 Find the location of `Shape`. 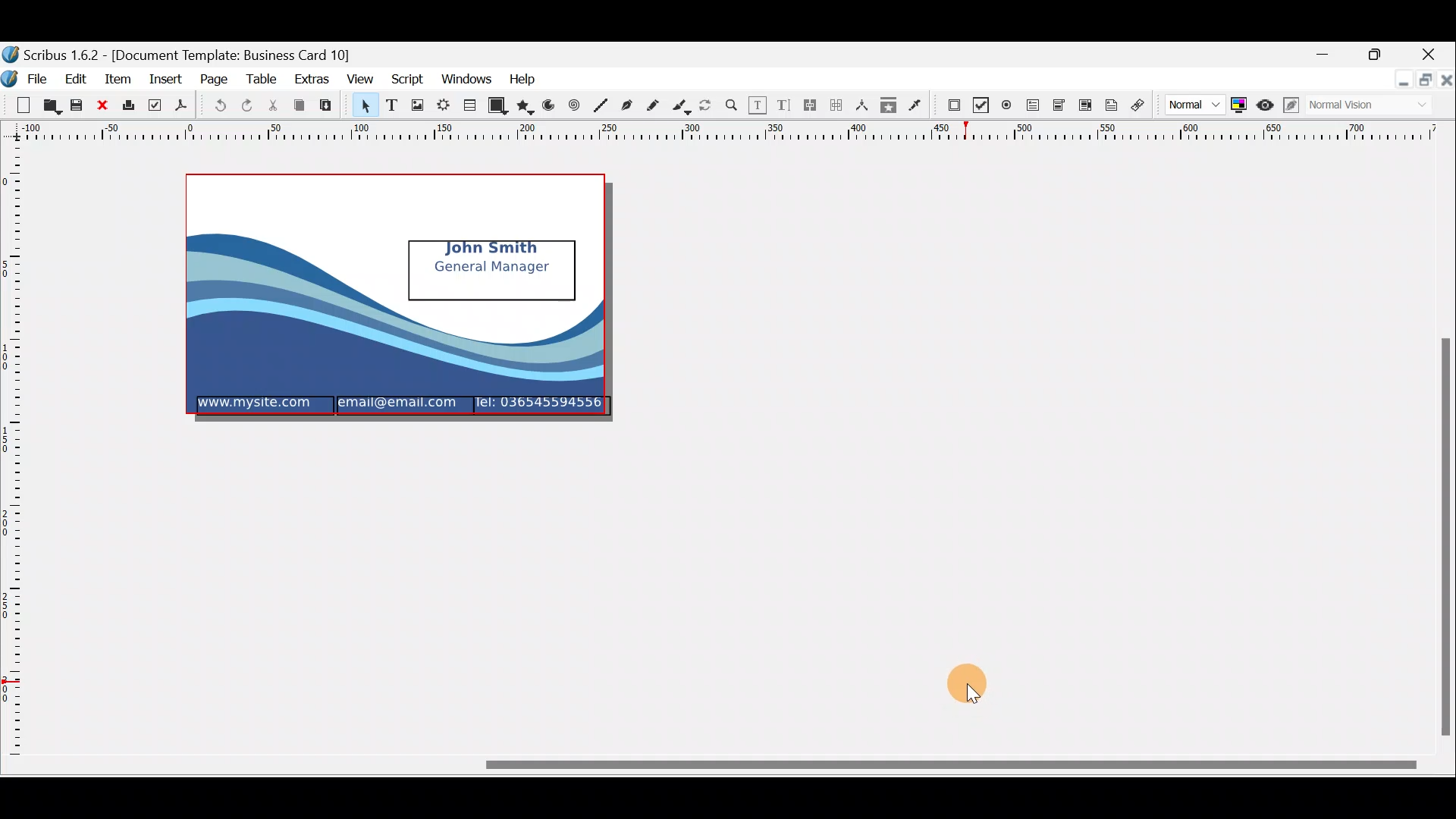

Shape is located at coordinates (498, 107).